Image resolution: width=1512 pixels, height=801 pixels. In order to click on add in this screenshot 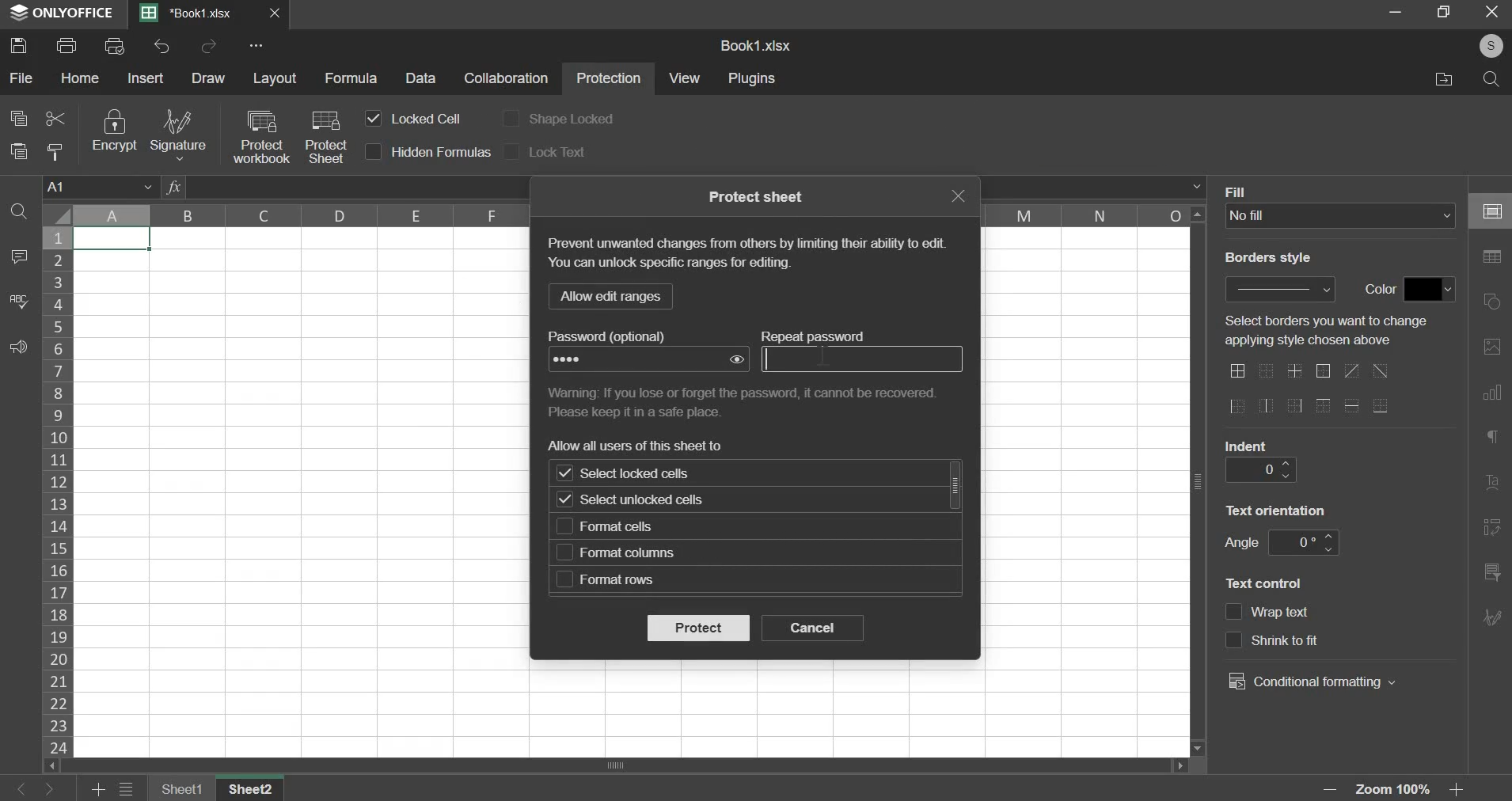, I will do `click(100, 790)`.